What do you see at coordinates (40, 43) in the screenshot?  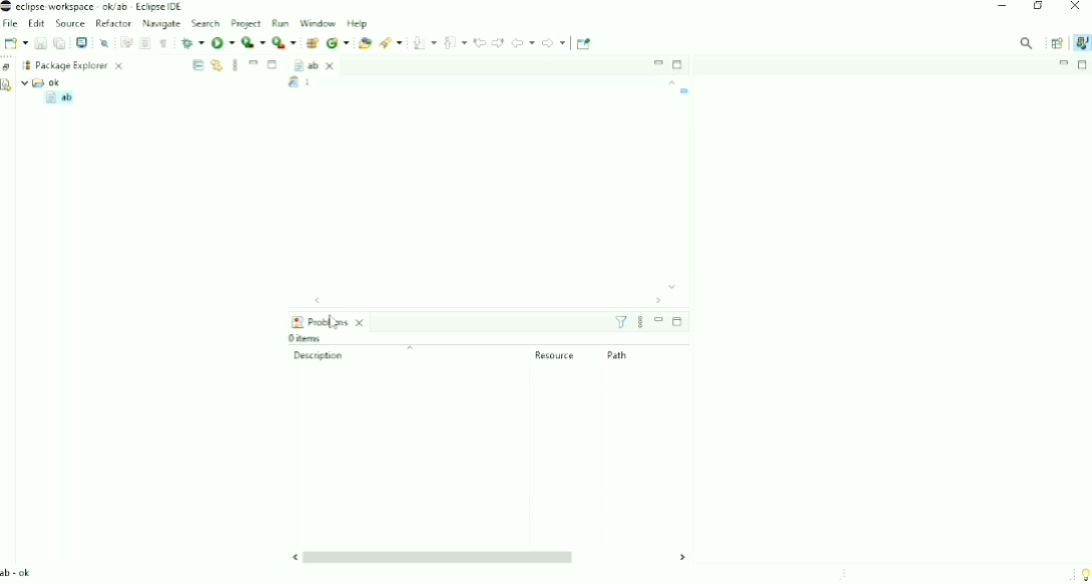 I see `Save` at bounding box center [40, 43].